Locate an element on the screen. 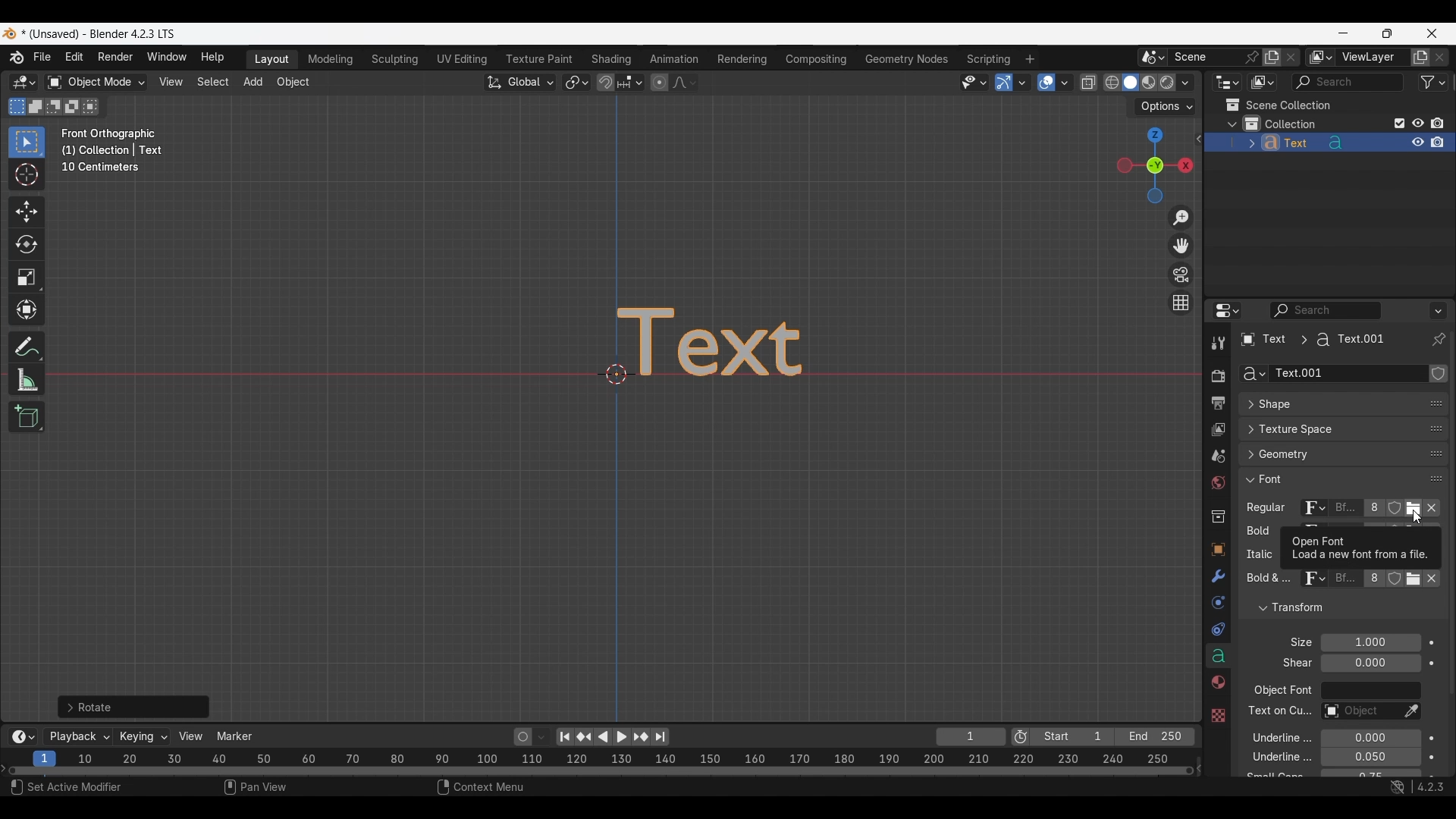 Image resolution: width=1456 pixels, height=819 pixels. Use preview range is located at coordinates (1021, 737).